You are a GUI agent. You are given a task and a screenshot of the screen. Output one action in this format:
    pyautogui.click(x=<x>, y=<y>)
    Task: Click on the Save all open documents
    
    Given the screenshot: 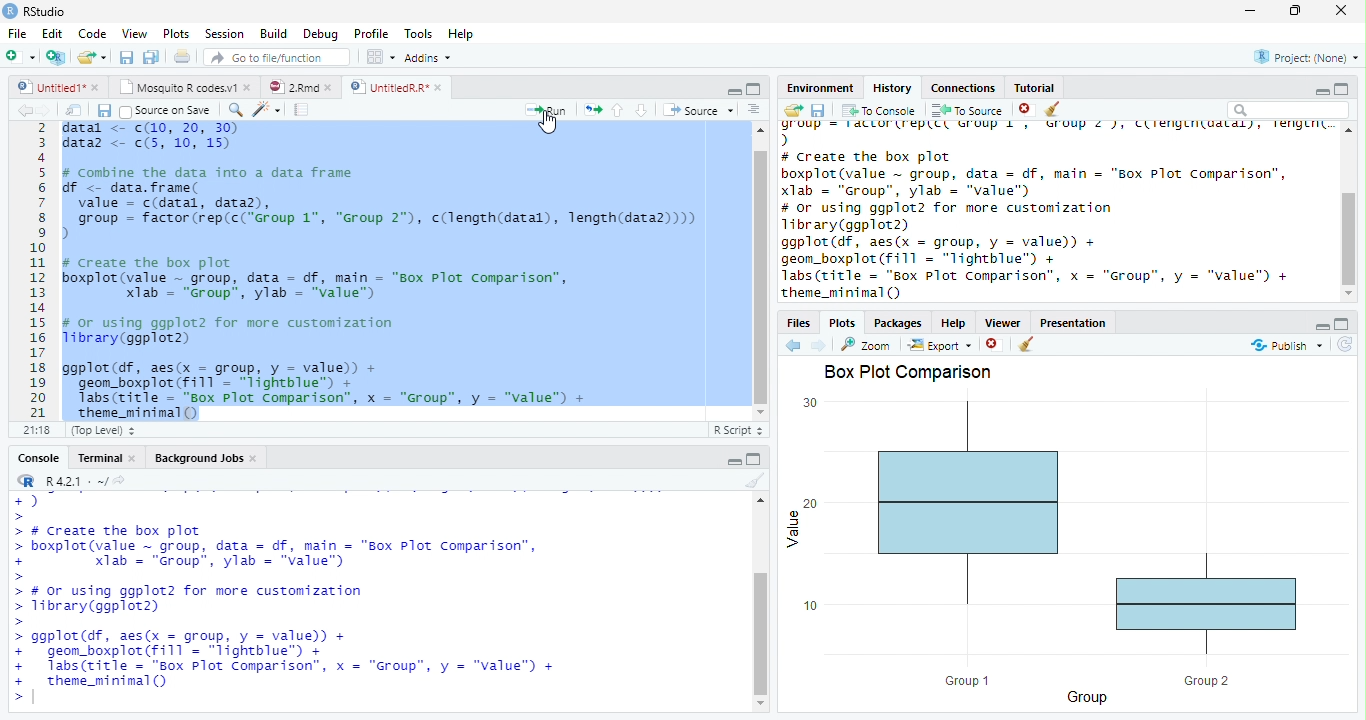 What is the action you would take?
    pyautogui.click(x=151, y=56)
    